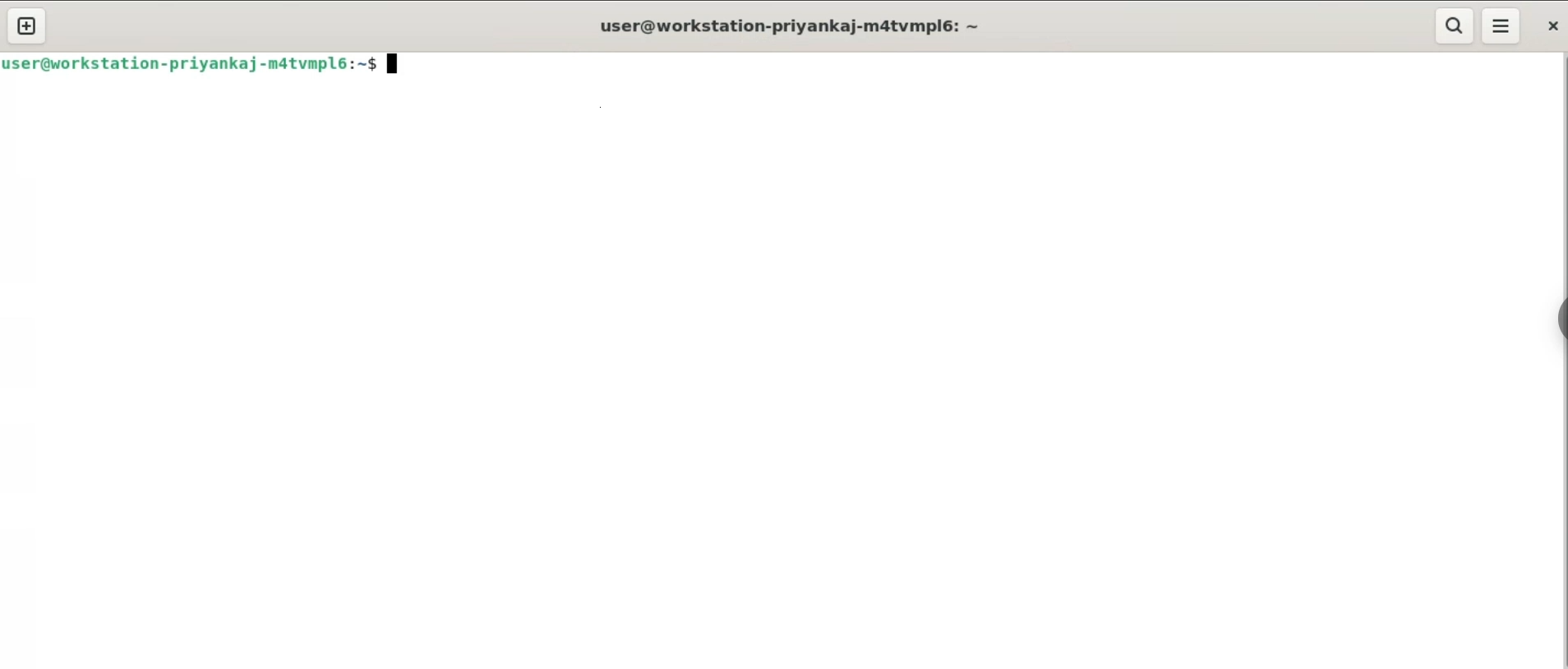  Describe the element at coordinates (208, 67) in the screenshot. I see `user@workstation-priyankaj-matvmpl6:~$` at that location.